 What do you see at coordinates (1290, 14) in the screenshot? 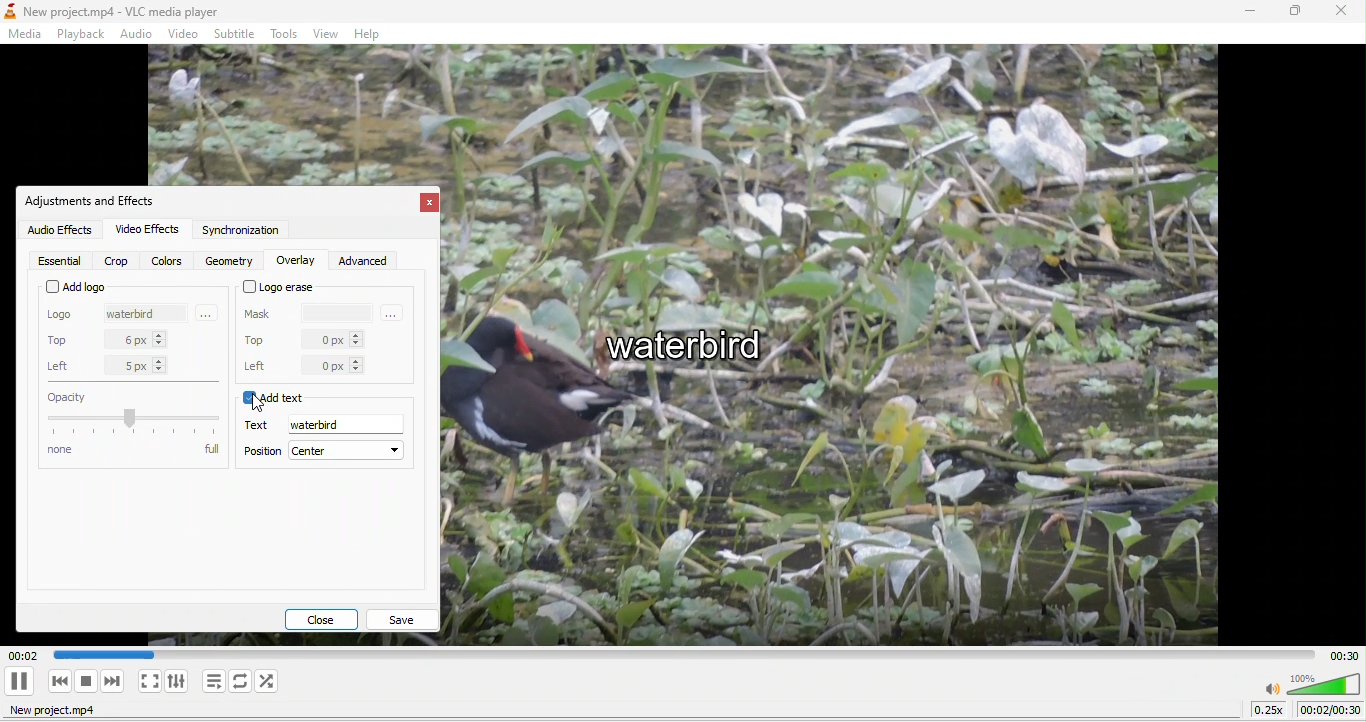
I see `maximize` at bounding box center [1290, 14].